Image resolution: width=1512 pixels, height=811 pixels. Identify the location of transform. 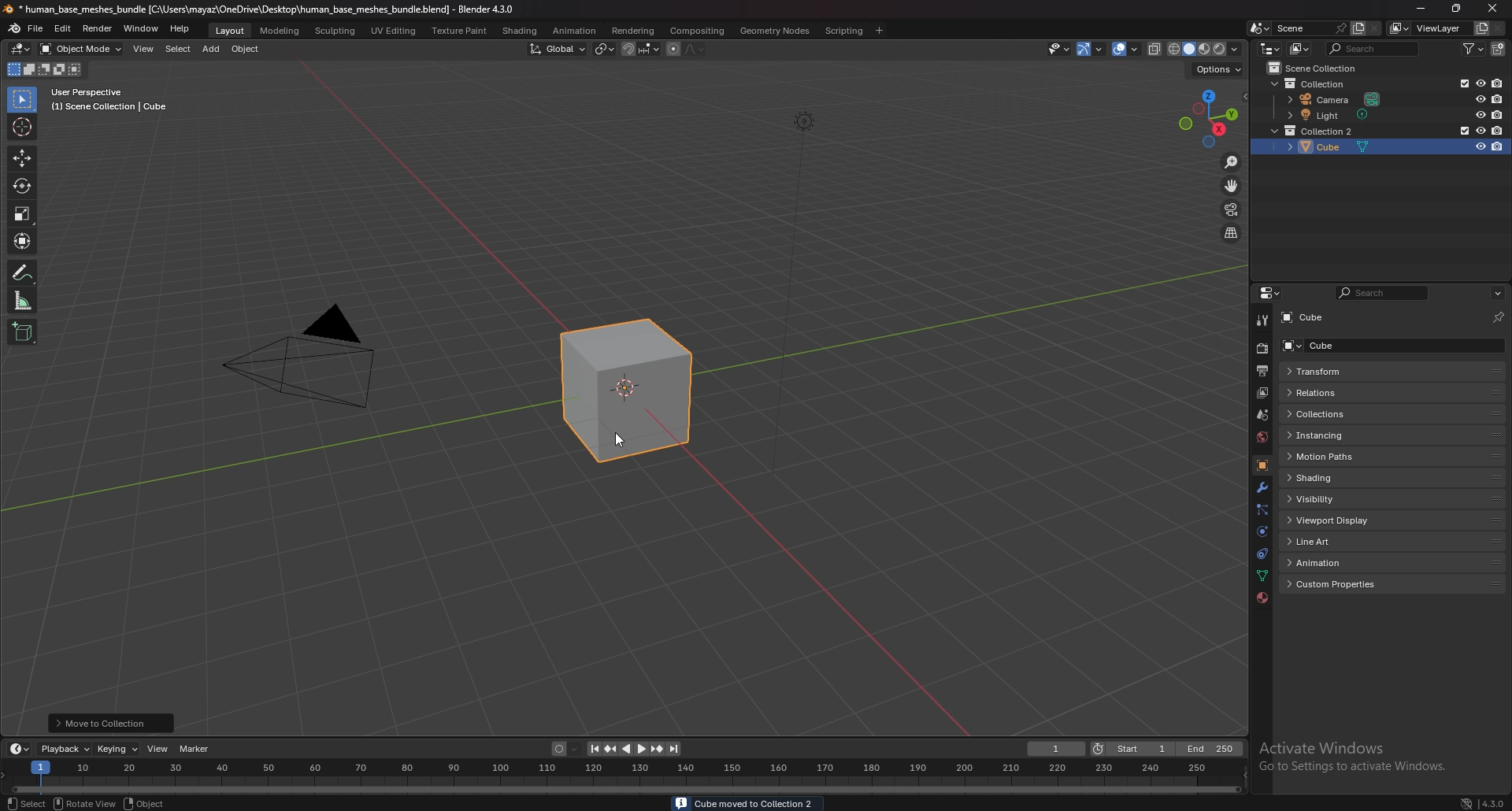
(1338, 371).